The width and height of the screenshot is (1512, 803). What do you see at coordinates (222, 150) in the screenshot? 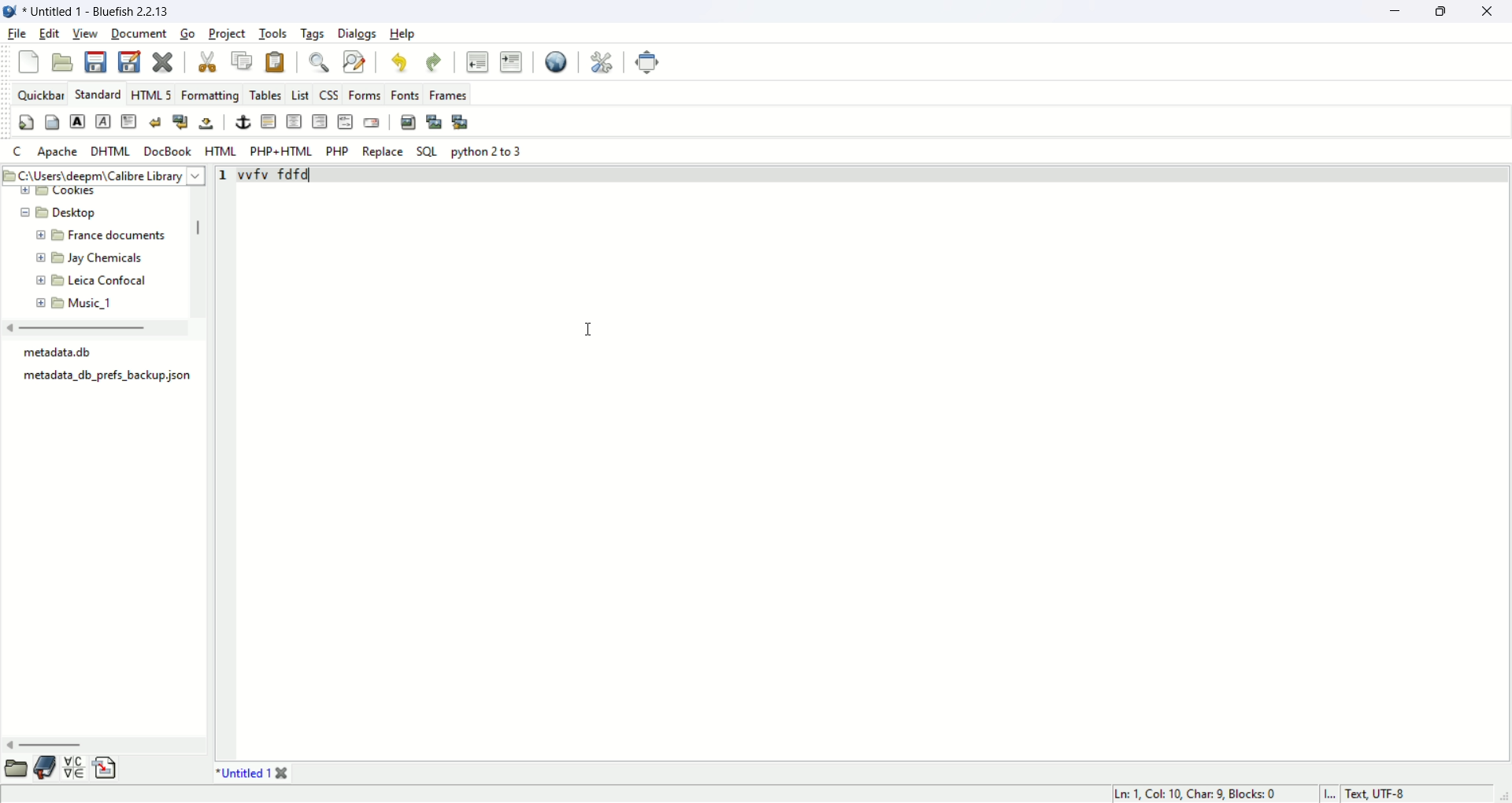
I see `HTML` at bounding box center [222, 150].